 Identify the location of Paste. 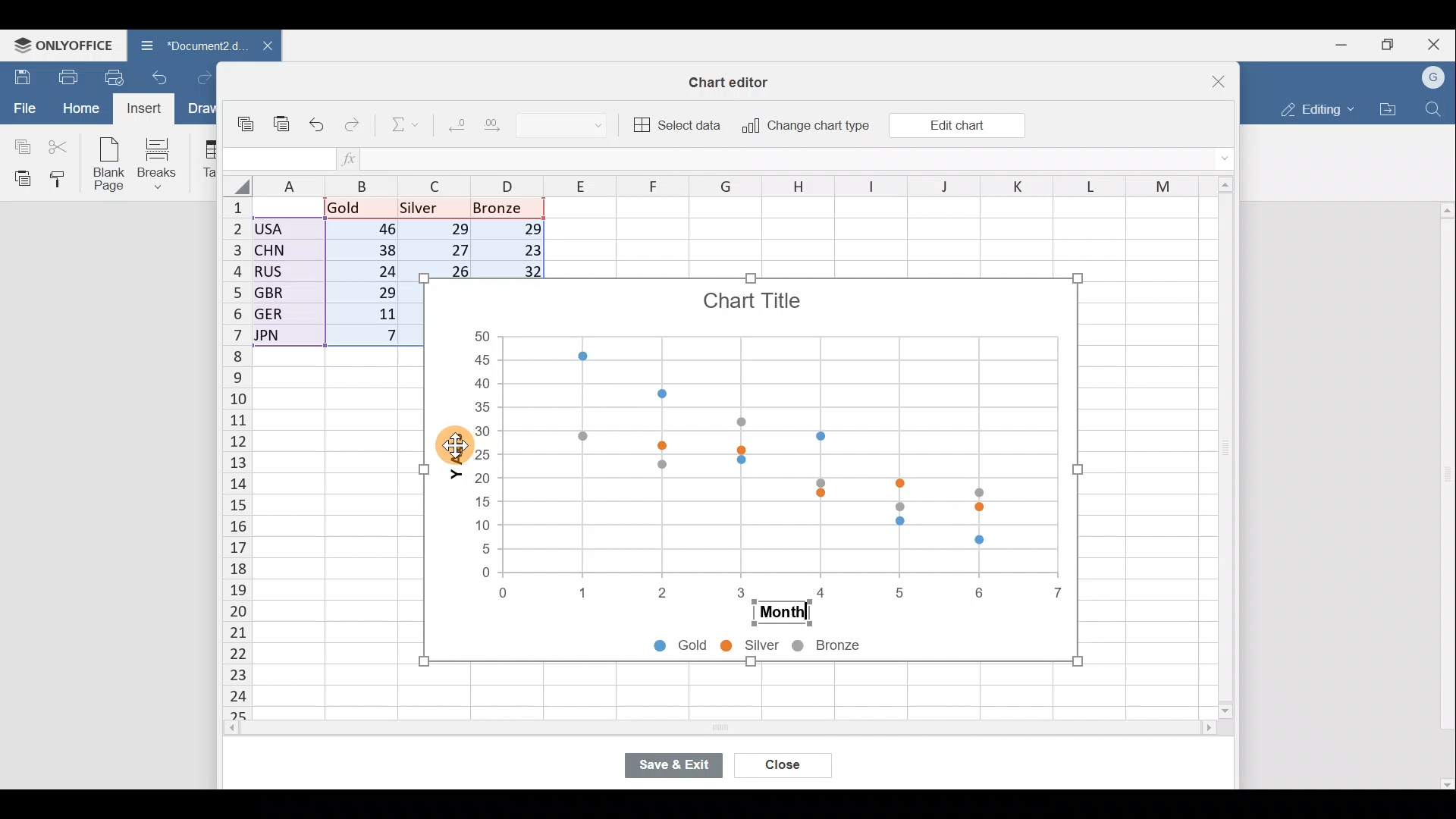
(19, 178).